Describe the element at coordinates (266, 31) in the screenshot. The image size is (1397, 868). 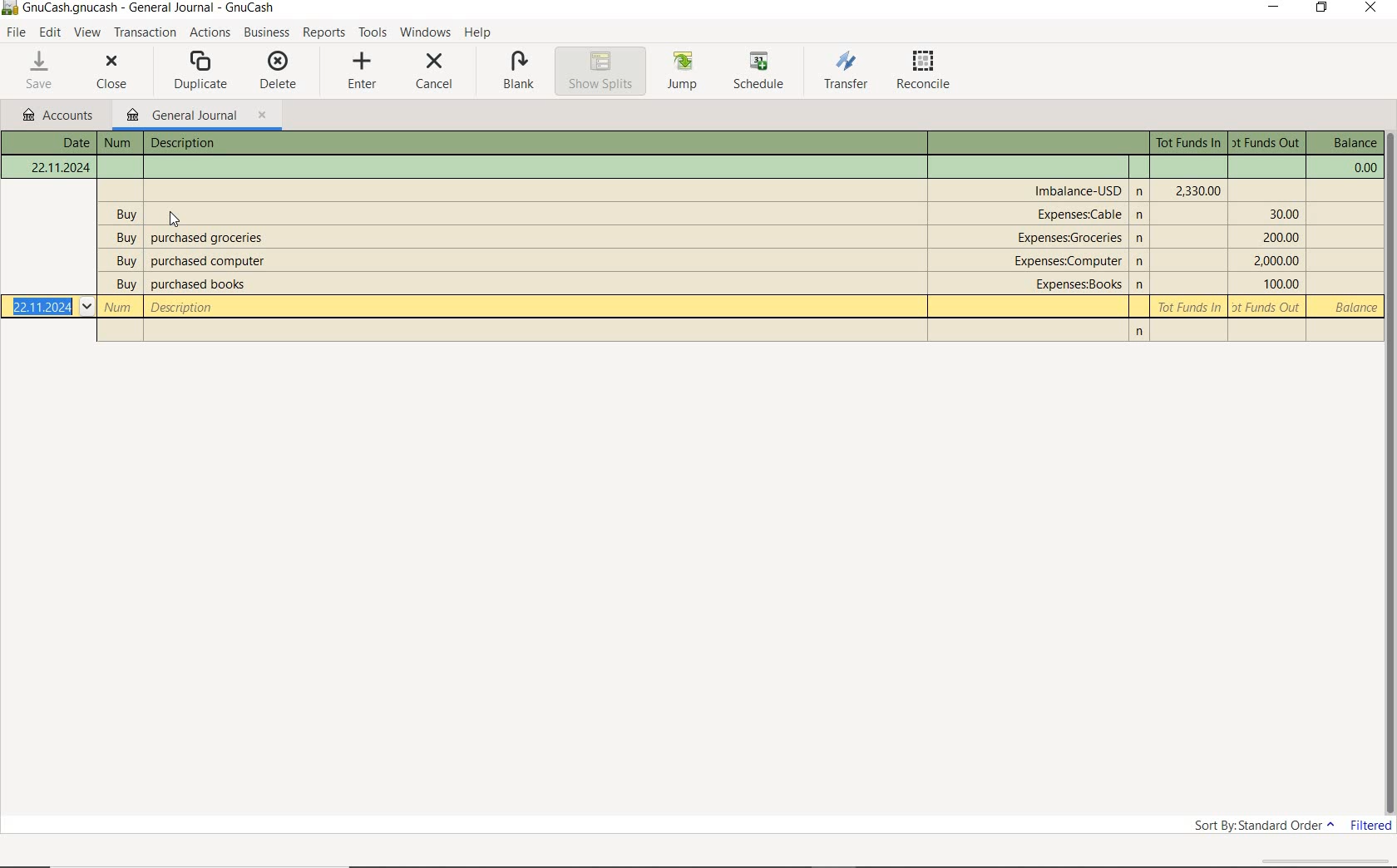
I see `BUSINESS` at that location.